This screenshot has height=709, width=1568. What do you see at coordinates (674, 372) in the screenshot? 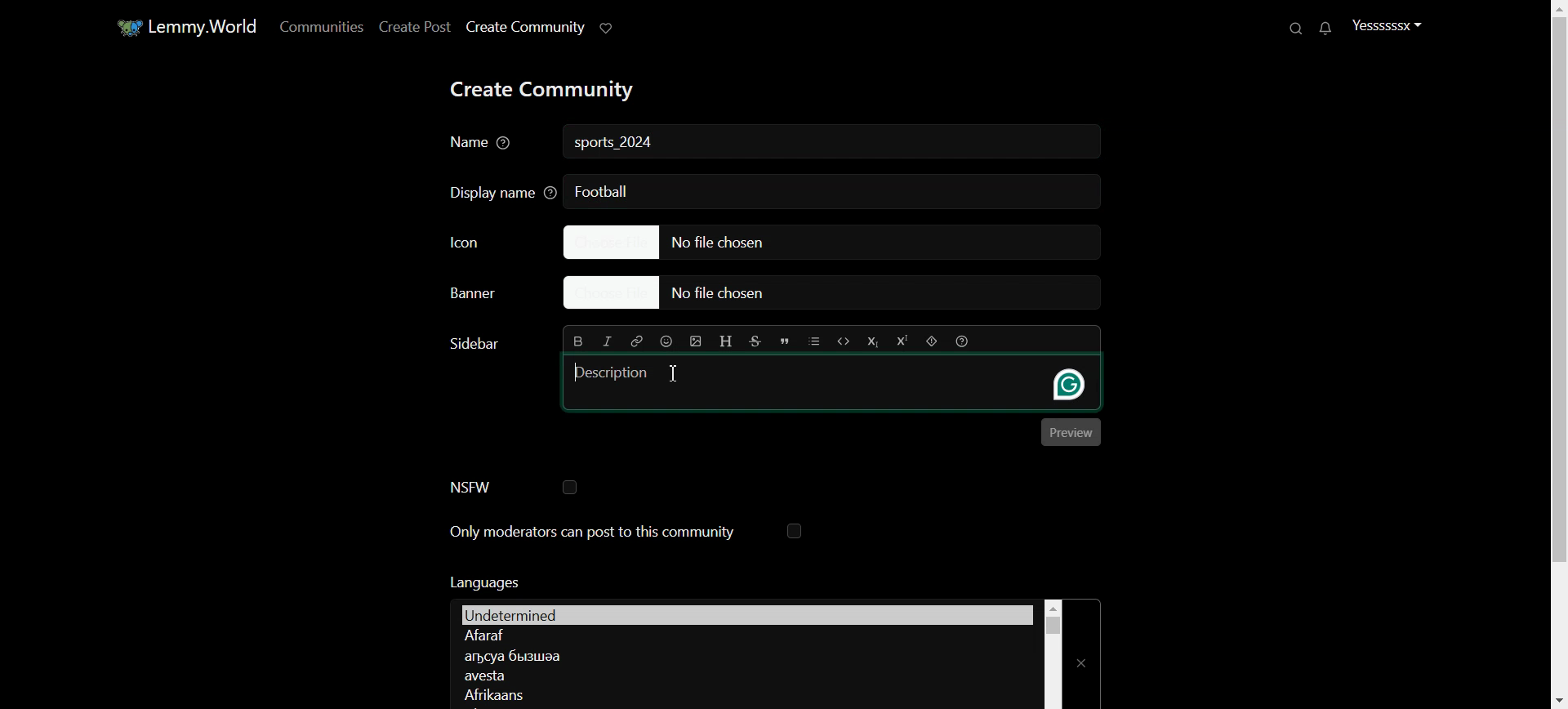
I see `Text Cursor` at bounding box center [674, 372].